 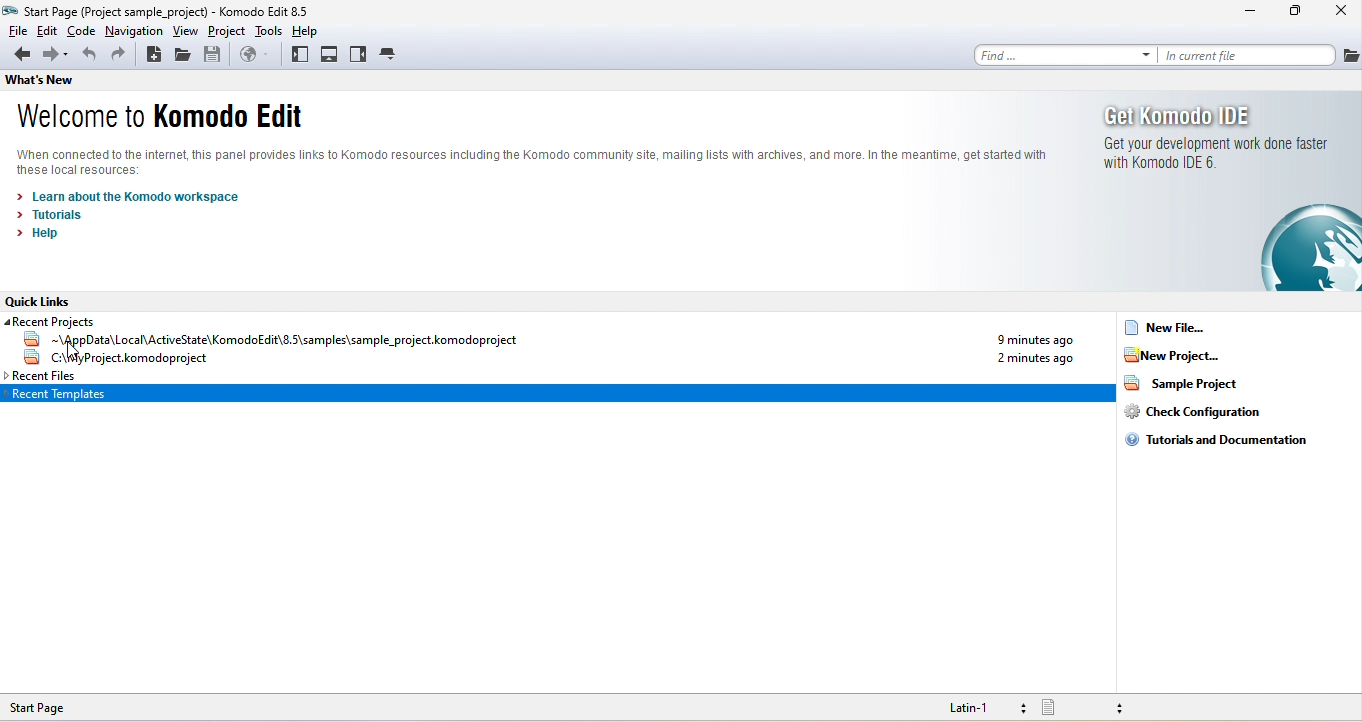 What do you see at coordinates (152, 55) in the screenshot?
I see `new` at bounding box center [152, 55].